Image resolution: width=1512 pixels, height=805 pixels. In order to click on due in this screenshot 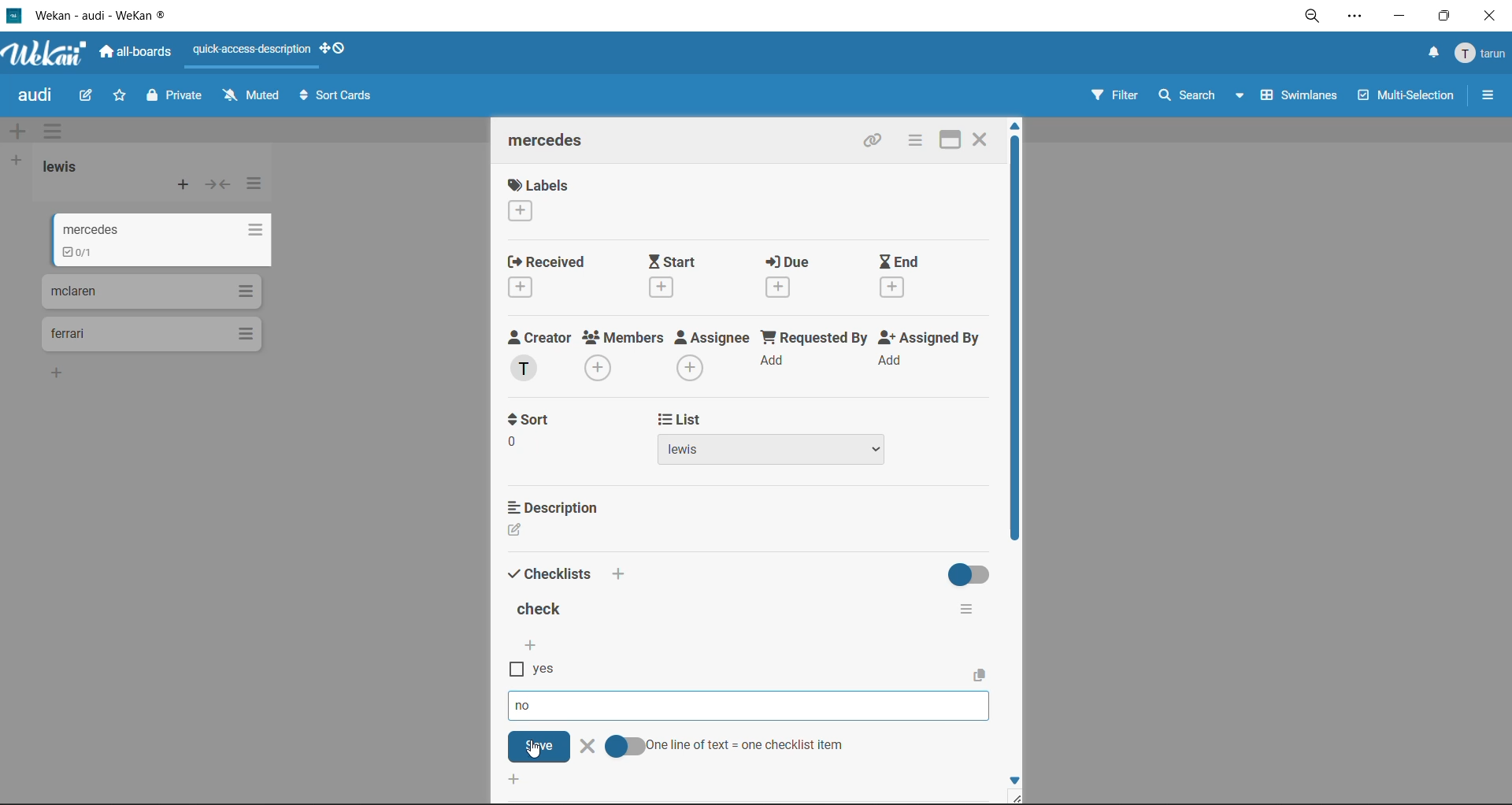, I will do `click(799, 280)`.